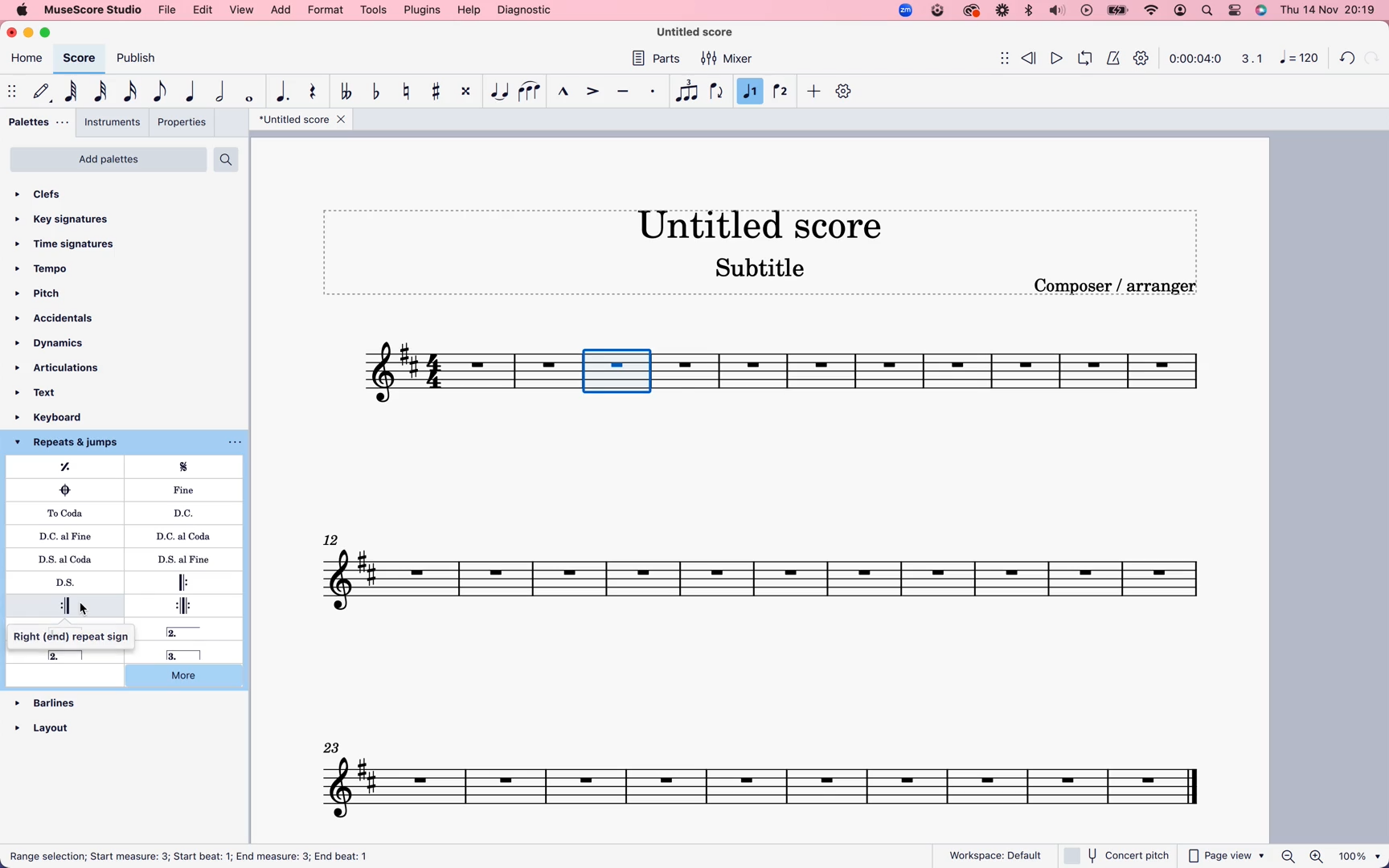 This screenshot has width=1389, height=868. Describe the element at coordinates (904, 10) in the screenshot. I see `zoom` at that location.